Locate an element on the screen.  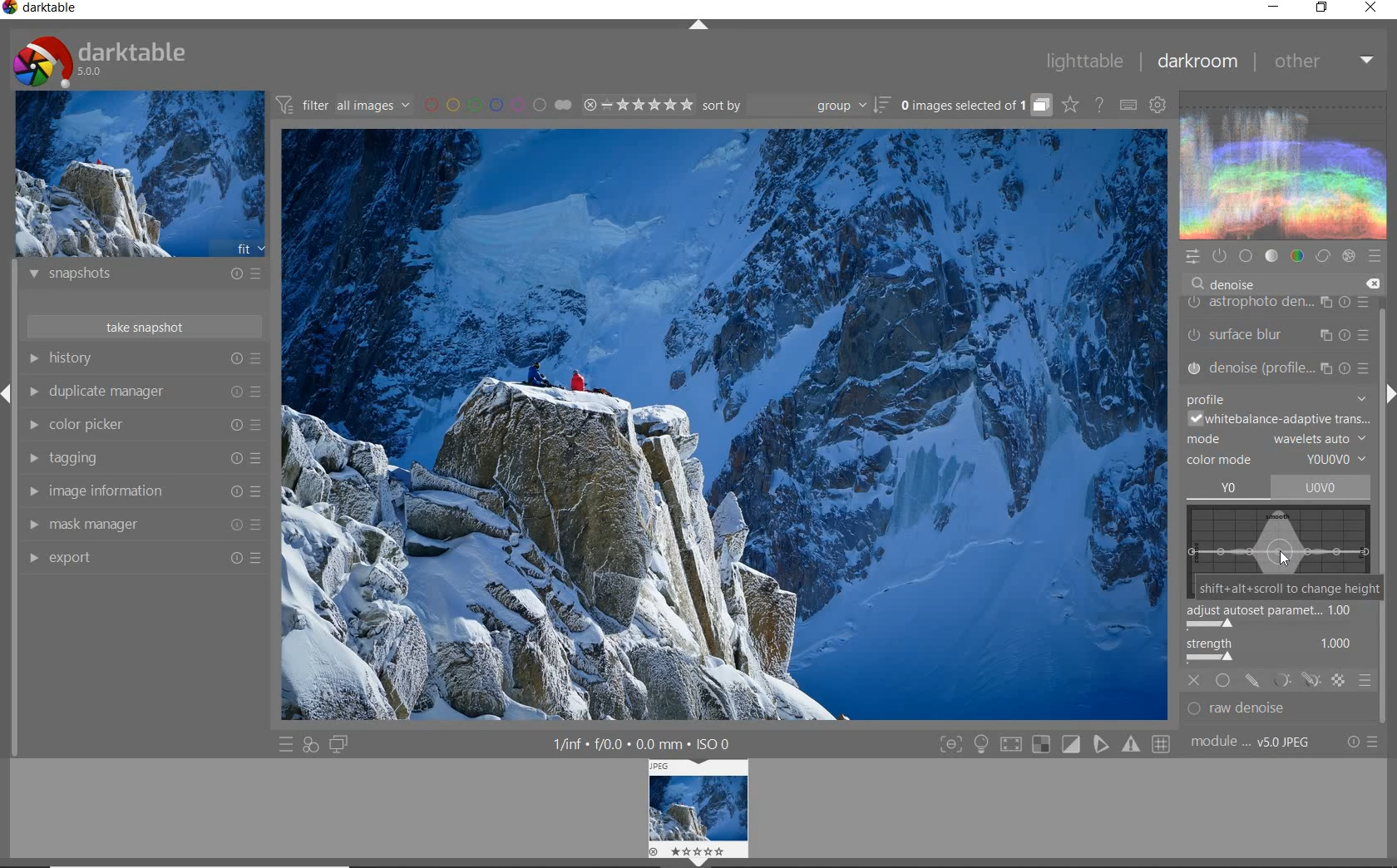
enable online help is located at coordinates (1101, 106).